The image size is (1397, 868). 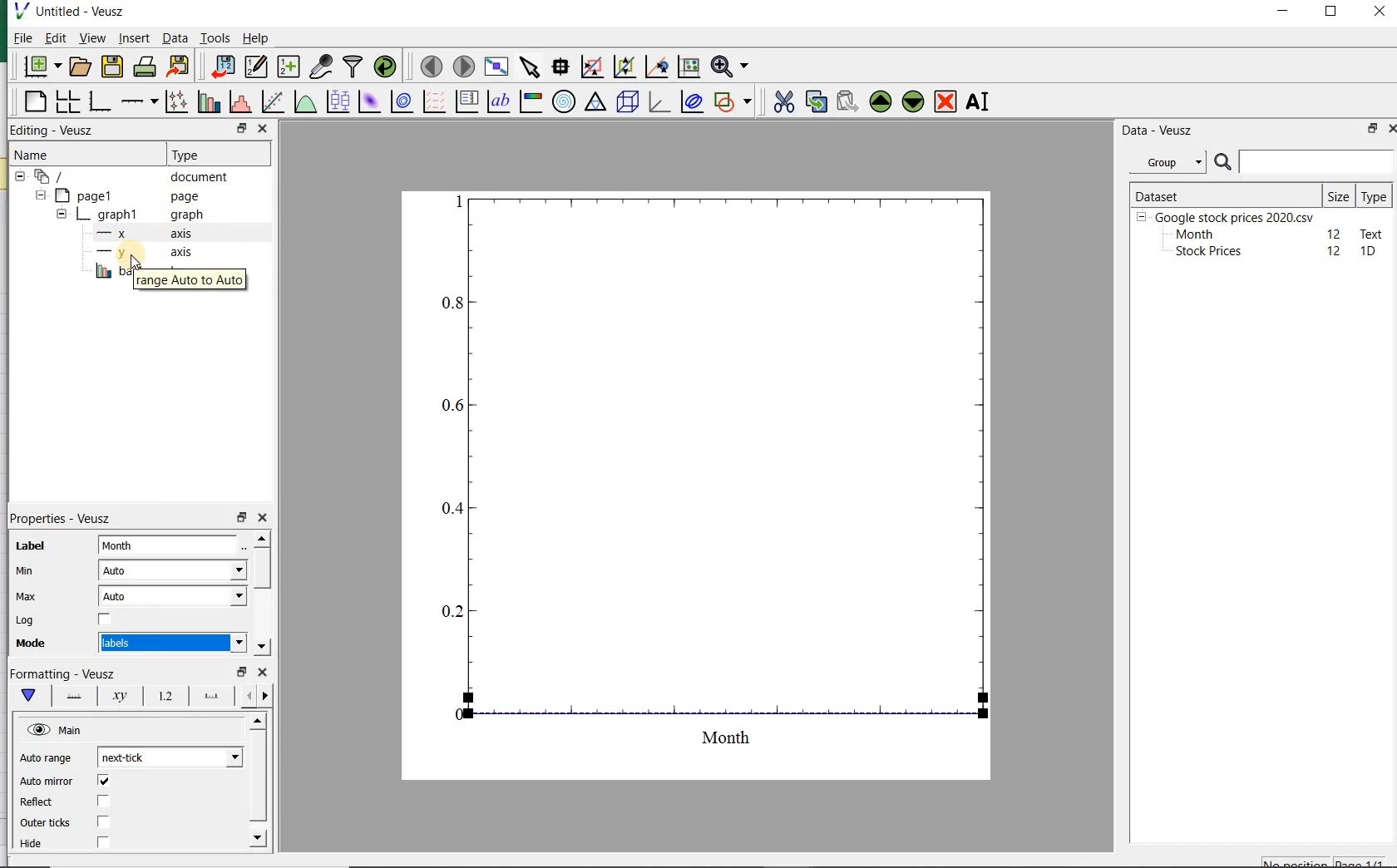 What do you see at coordinates (628, 103) in the screenshot?
I see `3d scene` at bounding box center [628, 103].